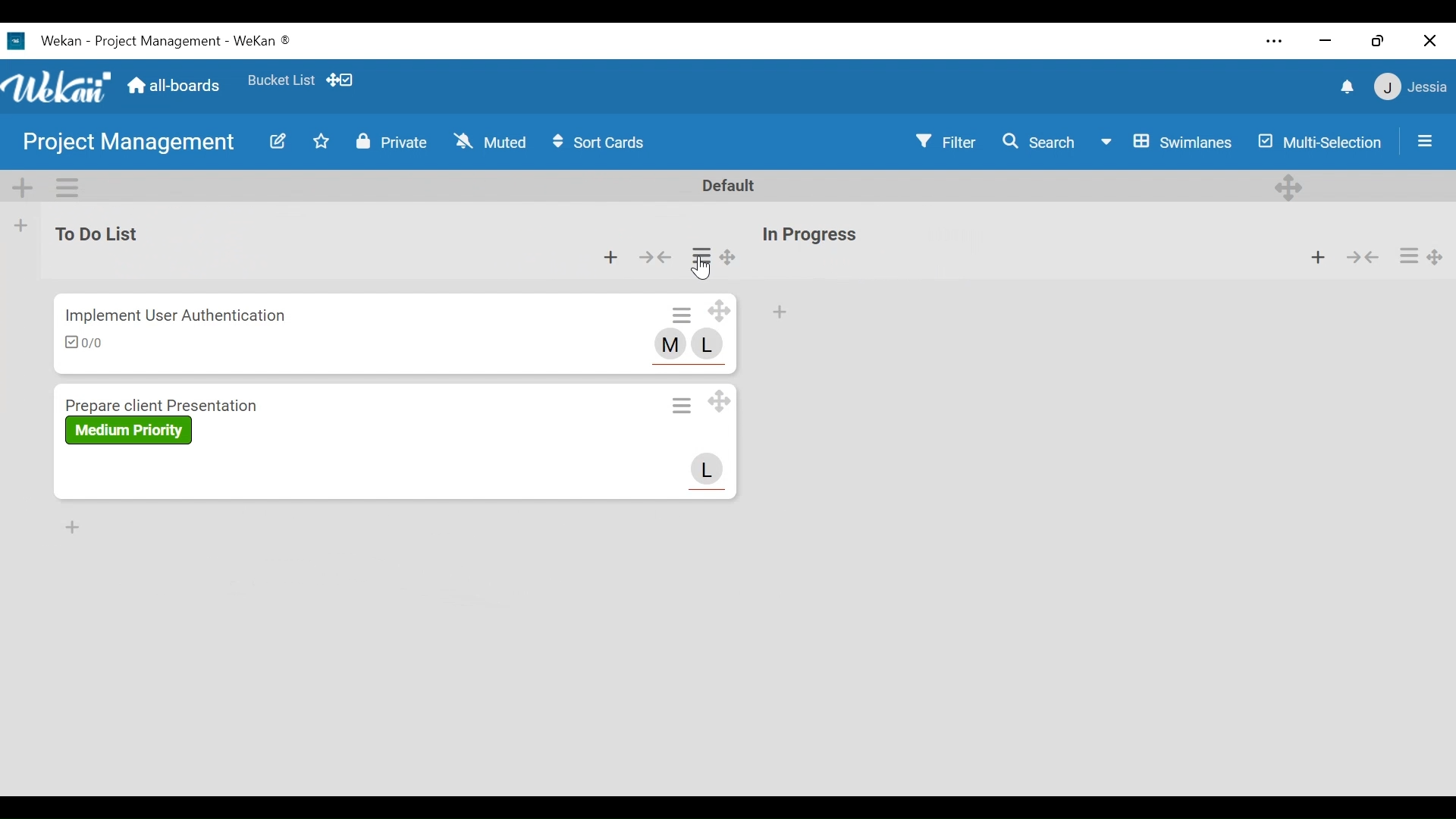 This screenshot has width=1456, height=819. Describe the element at coordinates (1039, 142) in the screenshot. I see `Search` at that location.